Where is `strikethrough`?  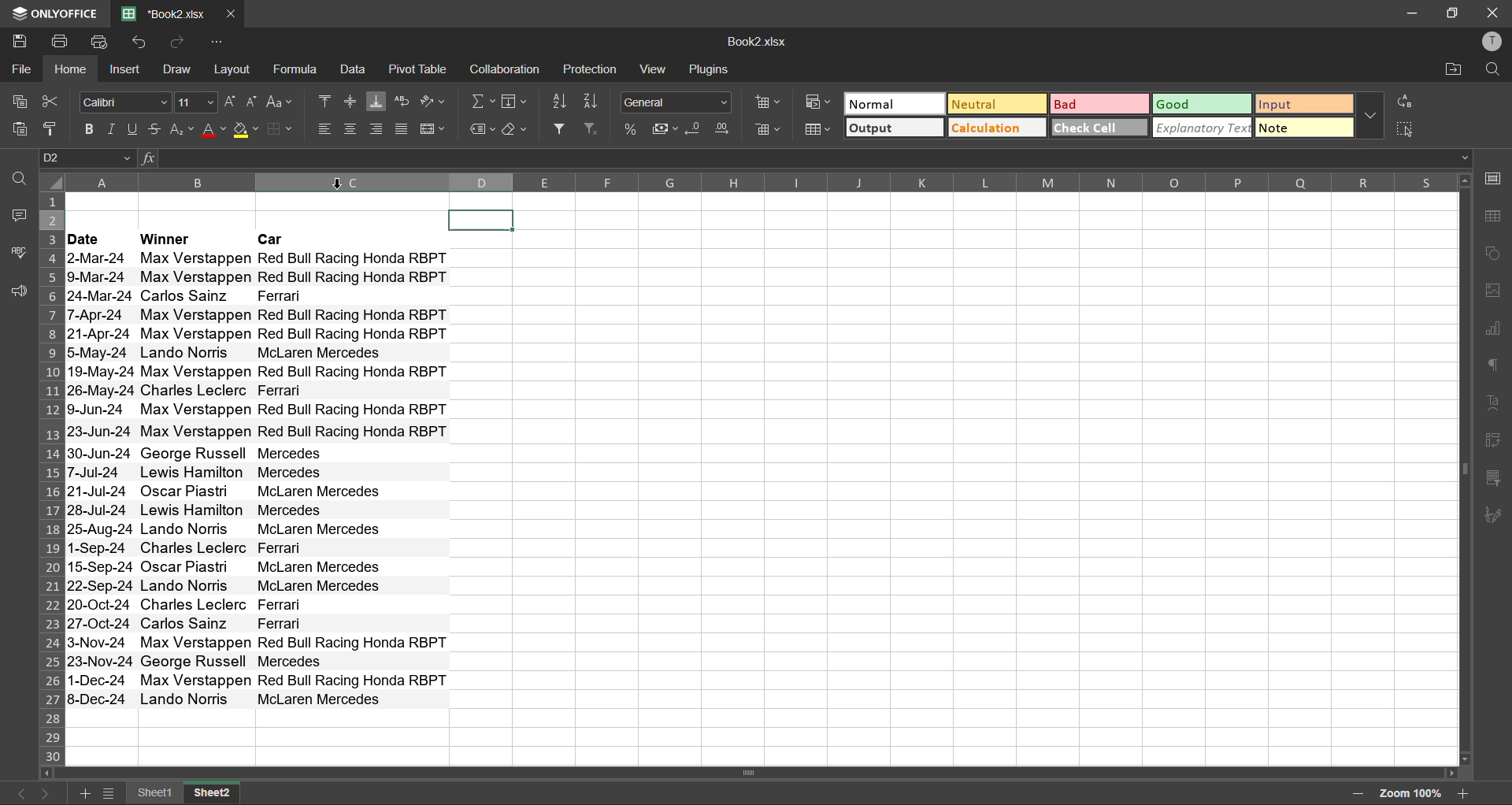 strikethrough is located at coordinates (157, 128).